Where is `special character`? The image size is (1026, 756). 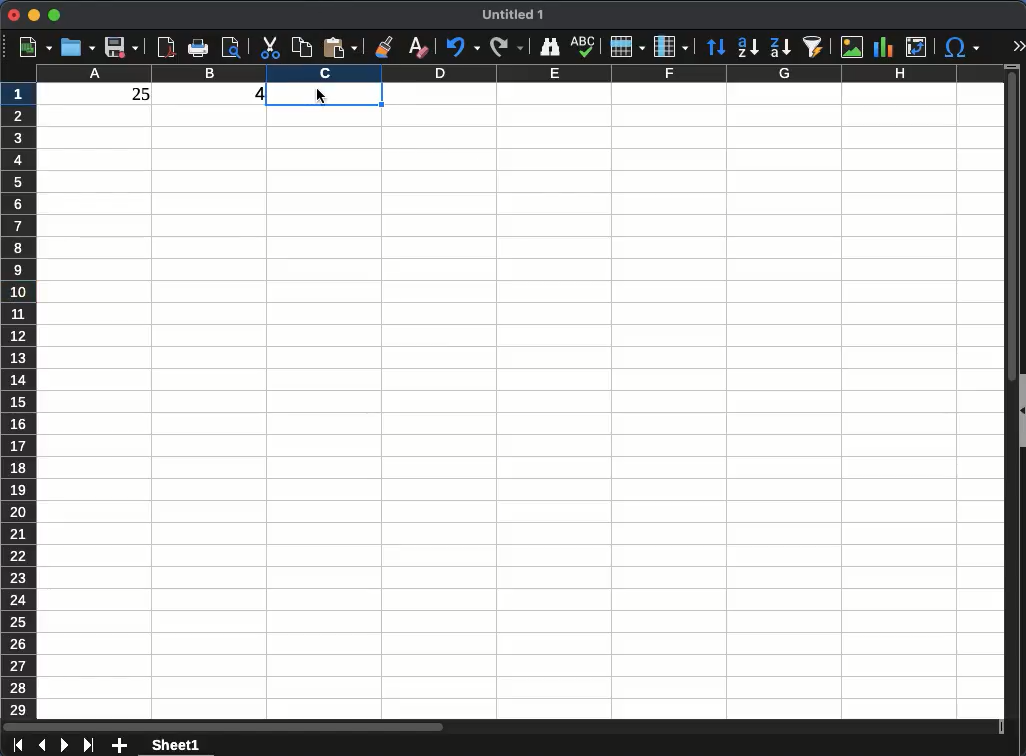 special character is located at coordinates (964, 48).